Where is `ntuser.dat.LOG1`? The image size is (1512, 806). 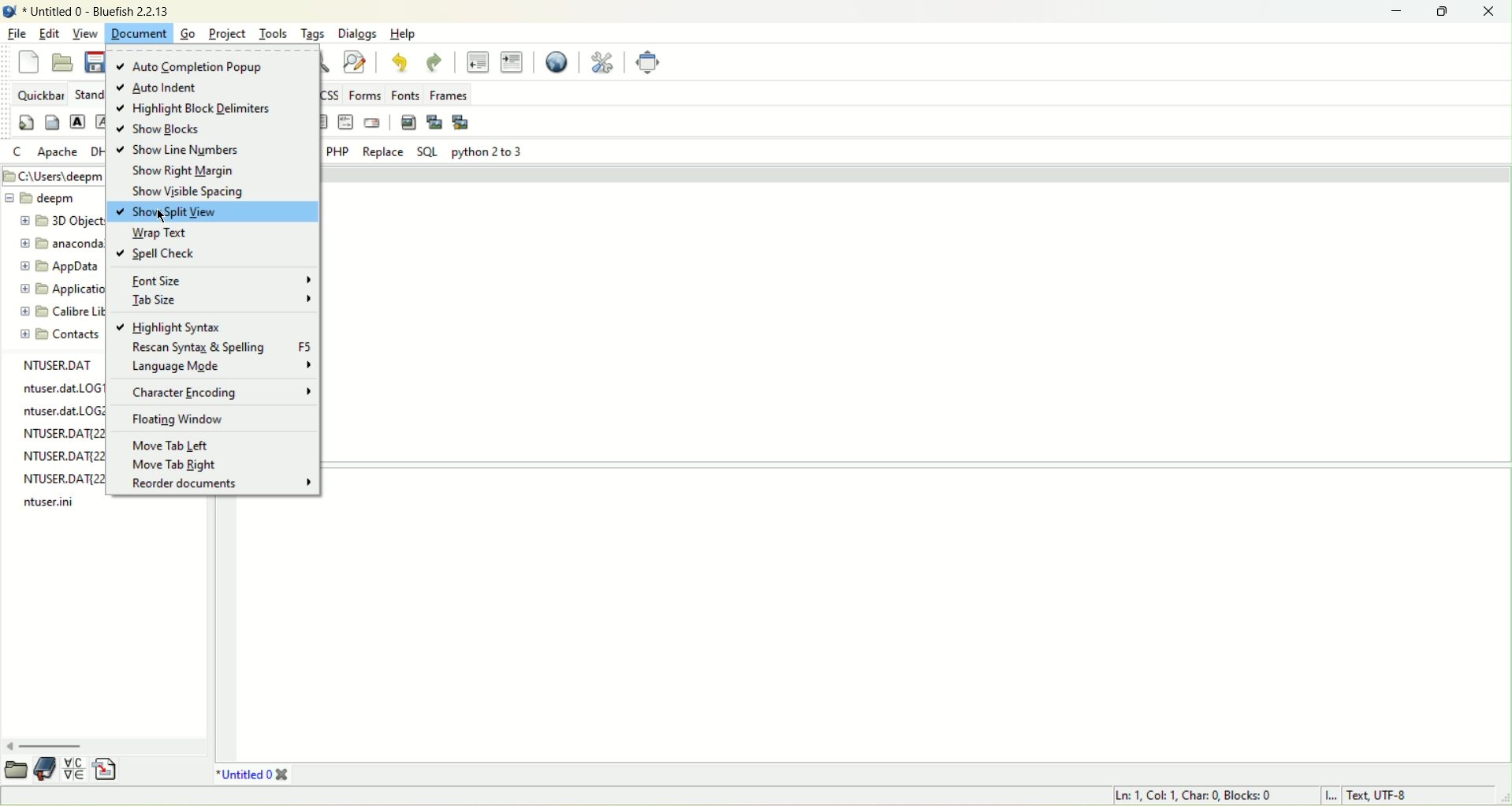 ntuser.dat.LOG1 is located at coordinates (61, 387).